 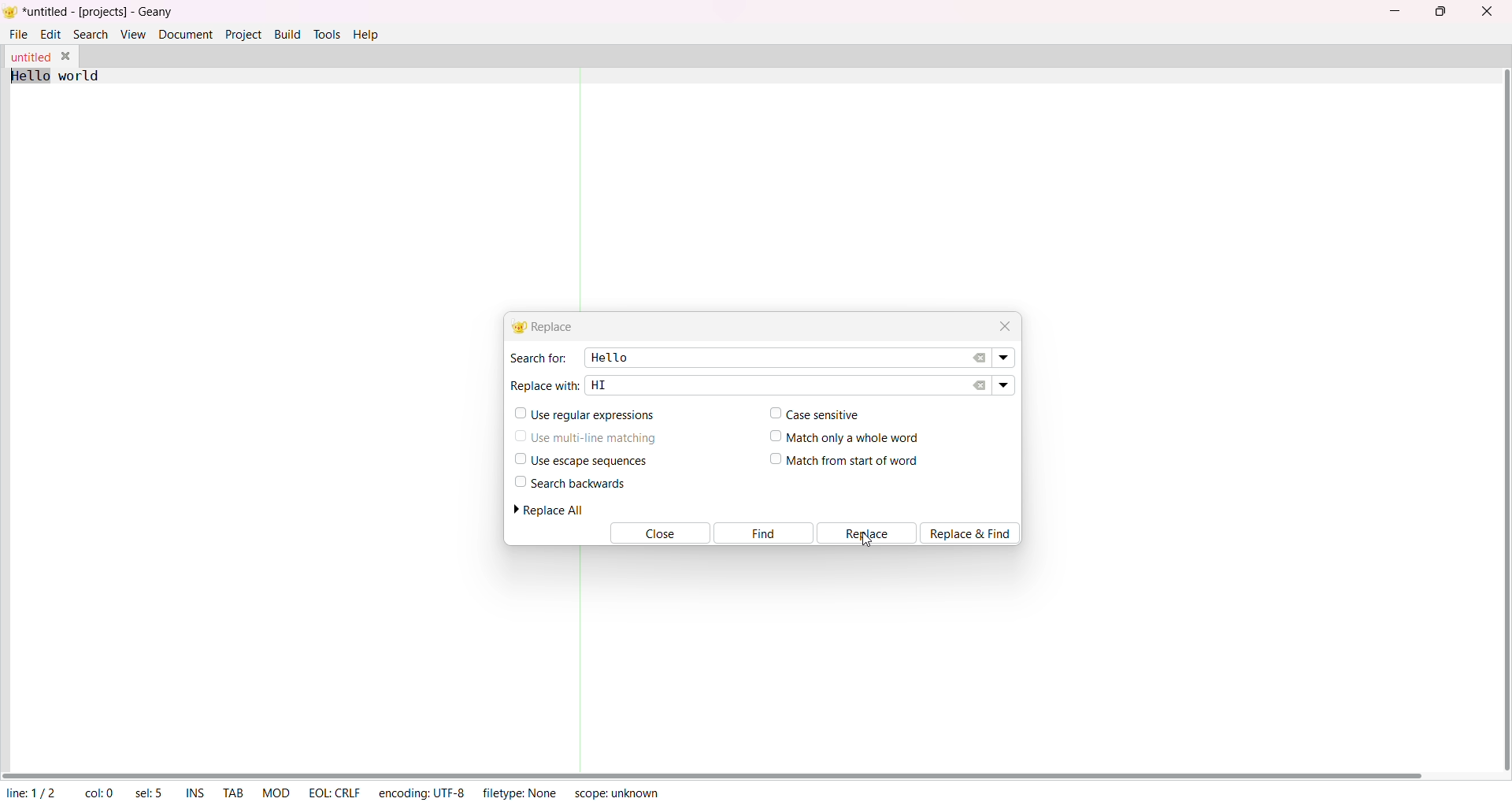 What do you see at coordinates (334, 790) in the screenshot?
I see `EOL: CRLF` at bounding box center [334, 790].